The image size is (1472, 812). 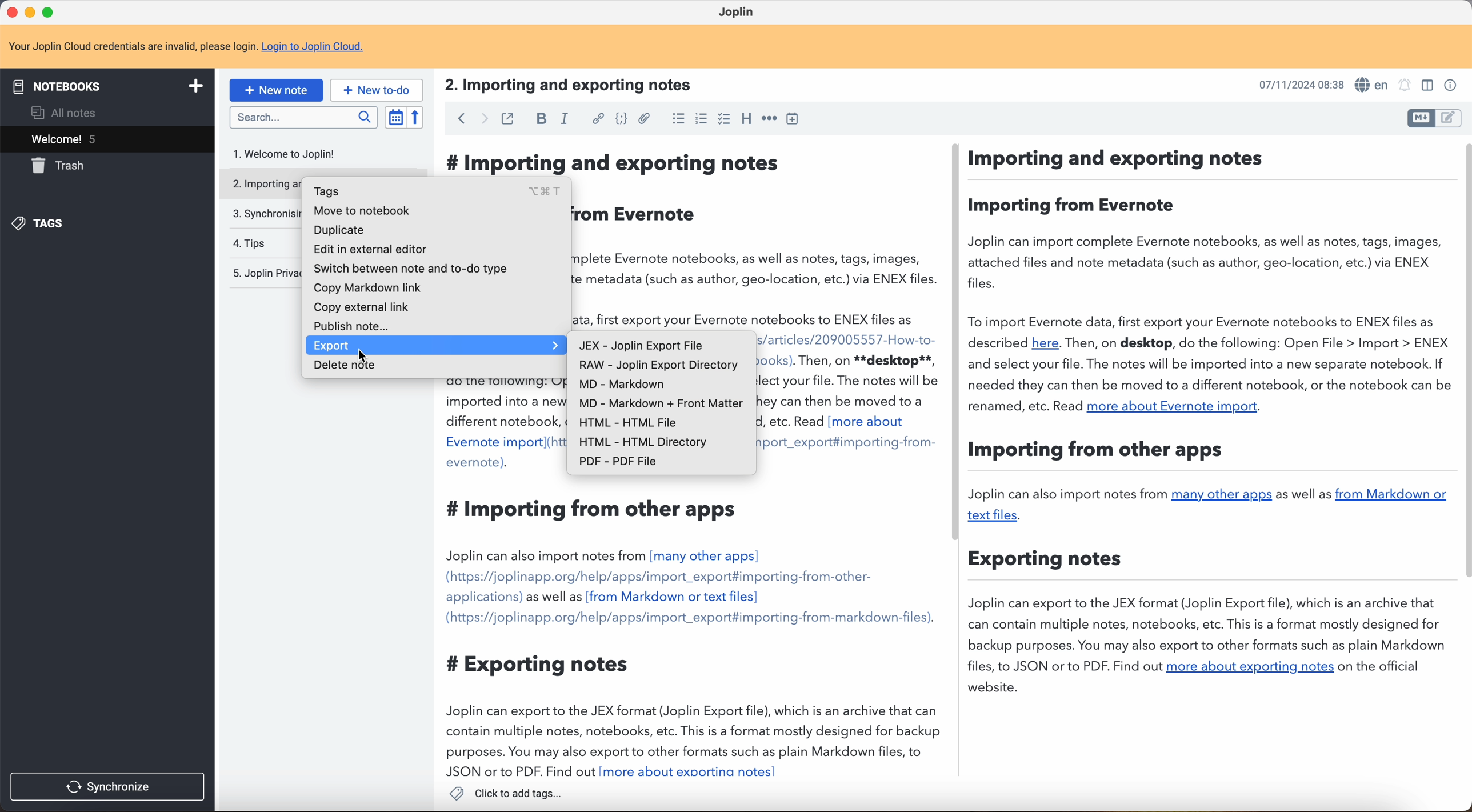 What do you see at coordinates (414, 118) in the screenshot?
I see `reverse sort order` at bounding box center [414, 118].